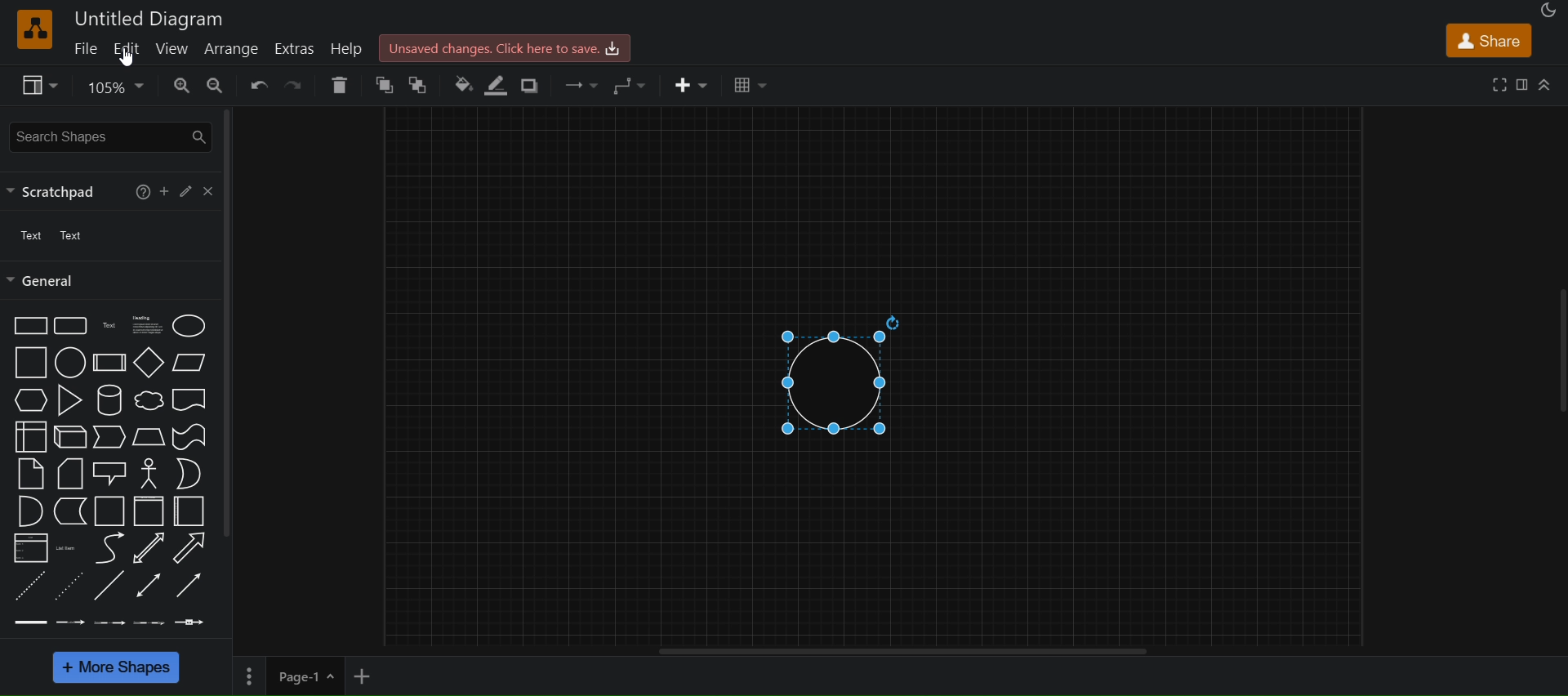 The width and height of the screenshot is (1568, 696). What do you see at coordinates (148, 511) in the screenshot?
I see `vertical container` at bounding box center [148, 511].